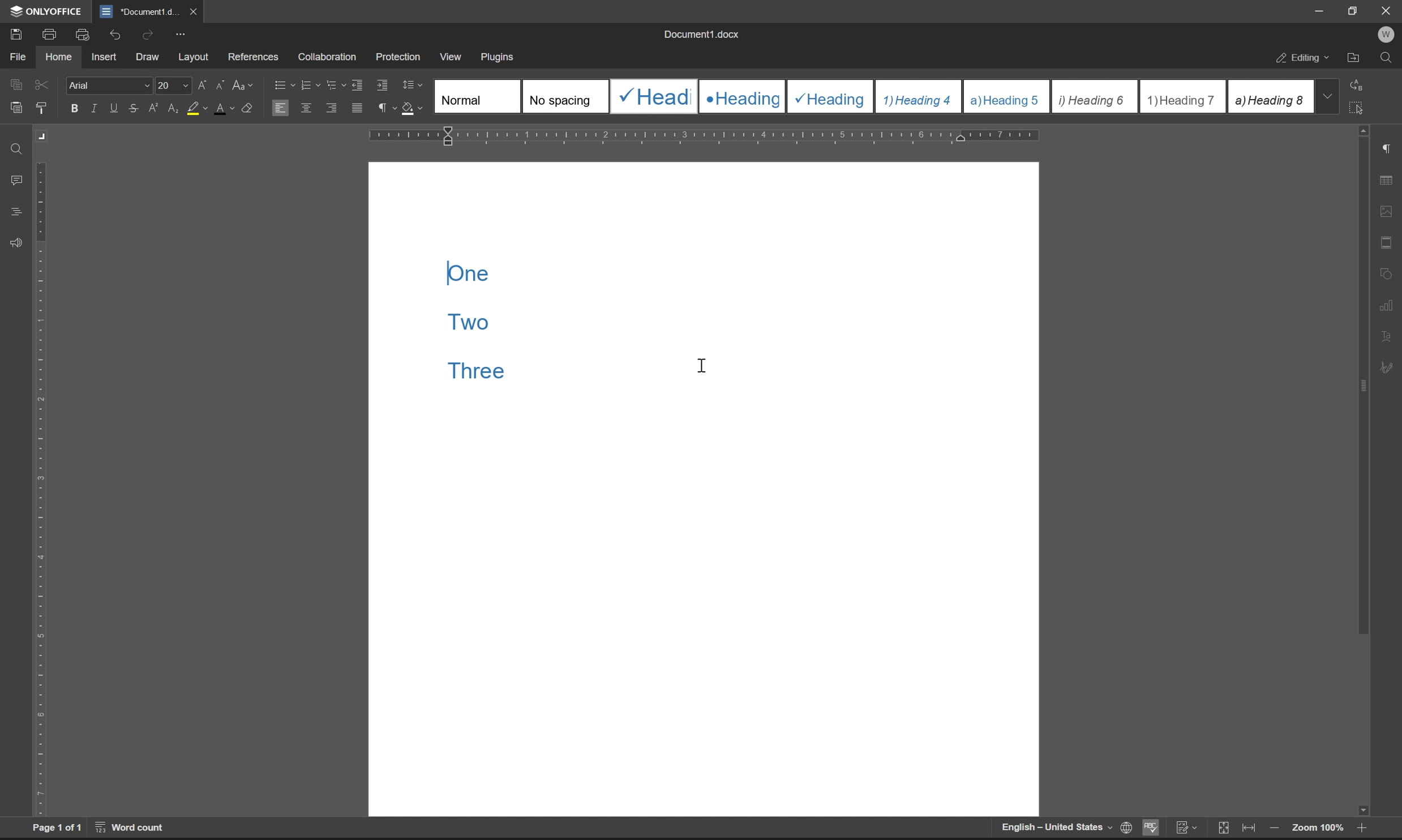 The height and width of the screenshot is (840, 1402). What do you see at coordinates (410, 106) in the screenshot?
I see `shading` at bounding box center [410, 106].